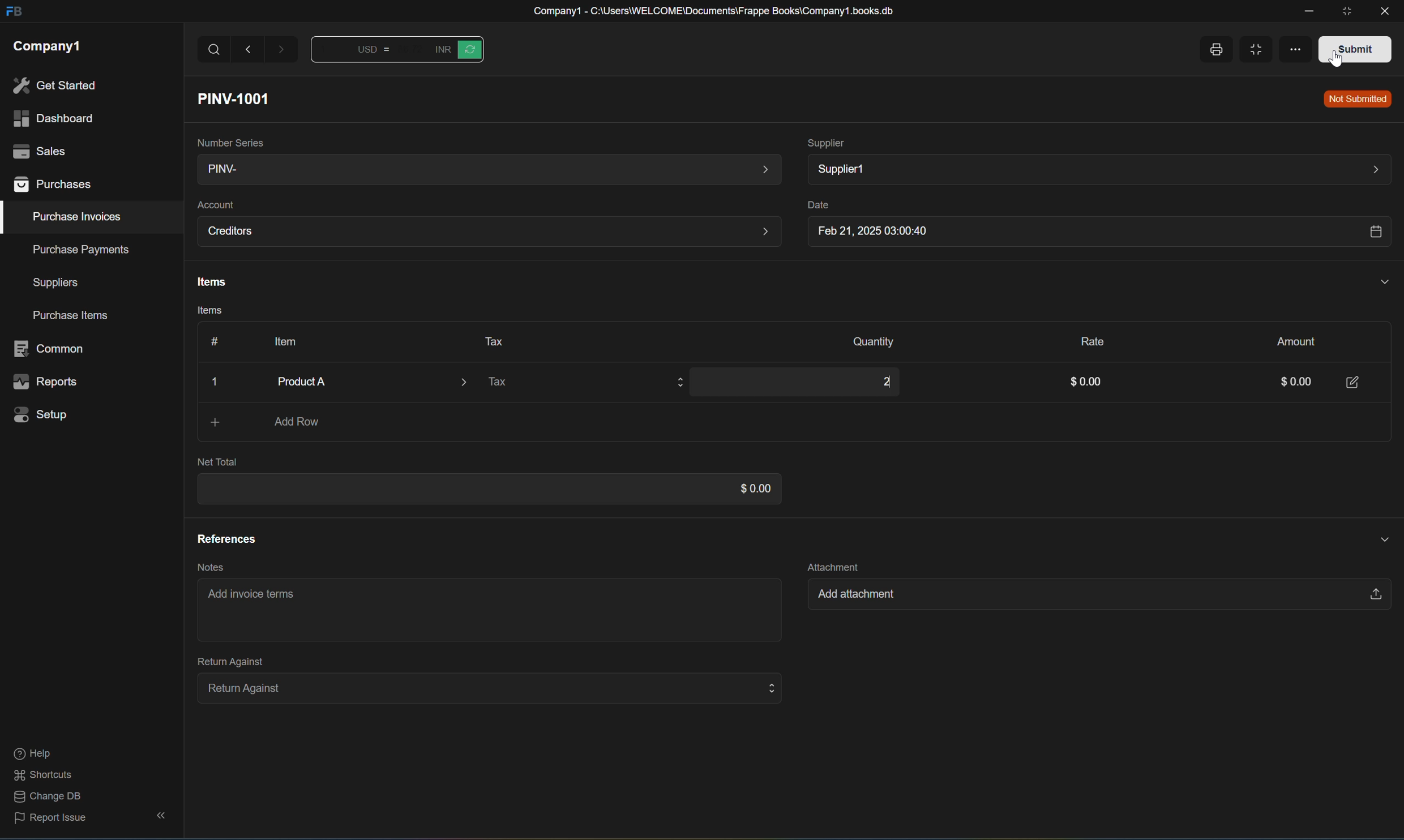 The image size is (1404, 840). Describe the element at coordinates (208, 282) in the screenshot. I see `Items` at that location.